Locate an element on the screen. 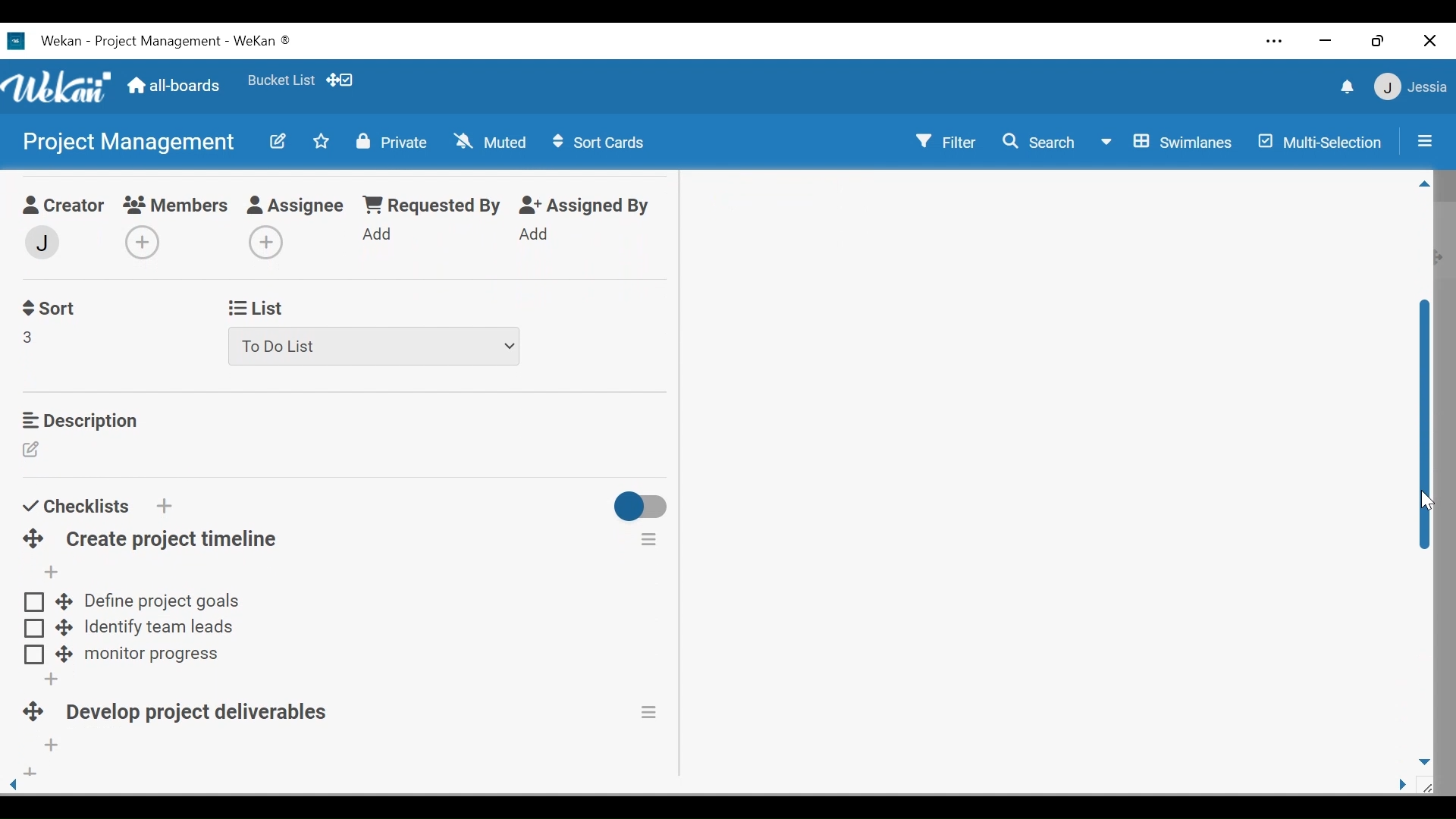 This screenshot has width=1456, height=819. List is located at coordinates (253, 309).